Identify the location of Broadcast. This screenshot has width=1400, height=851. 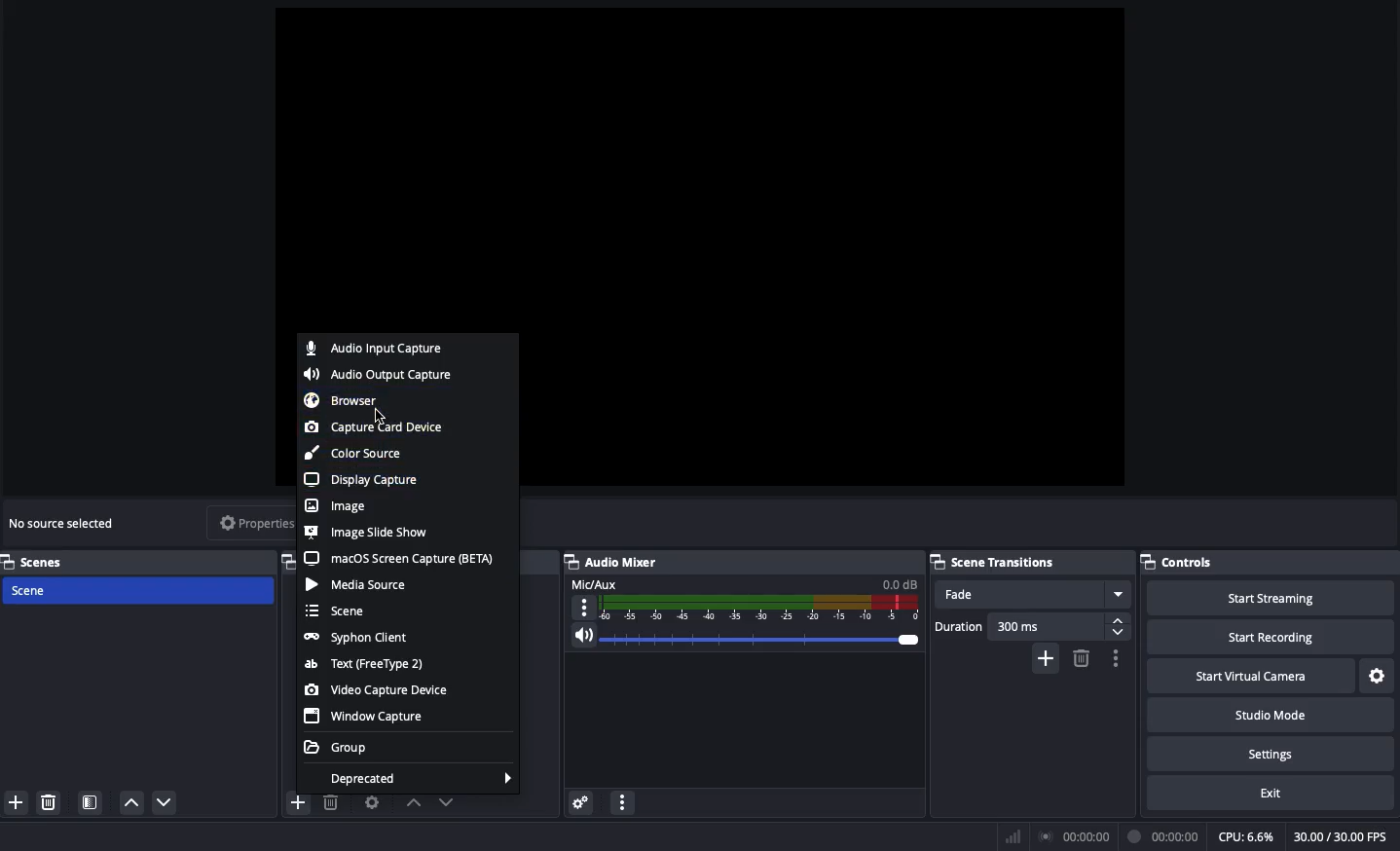
(1072, 836).